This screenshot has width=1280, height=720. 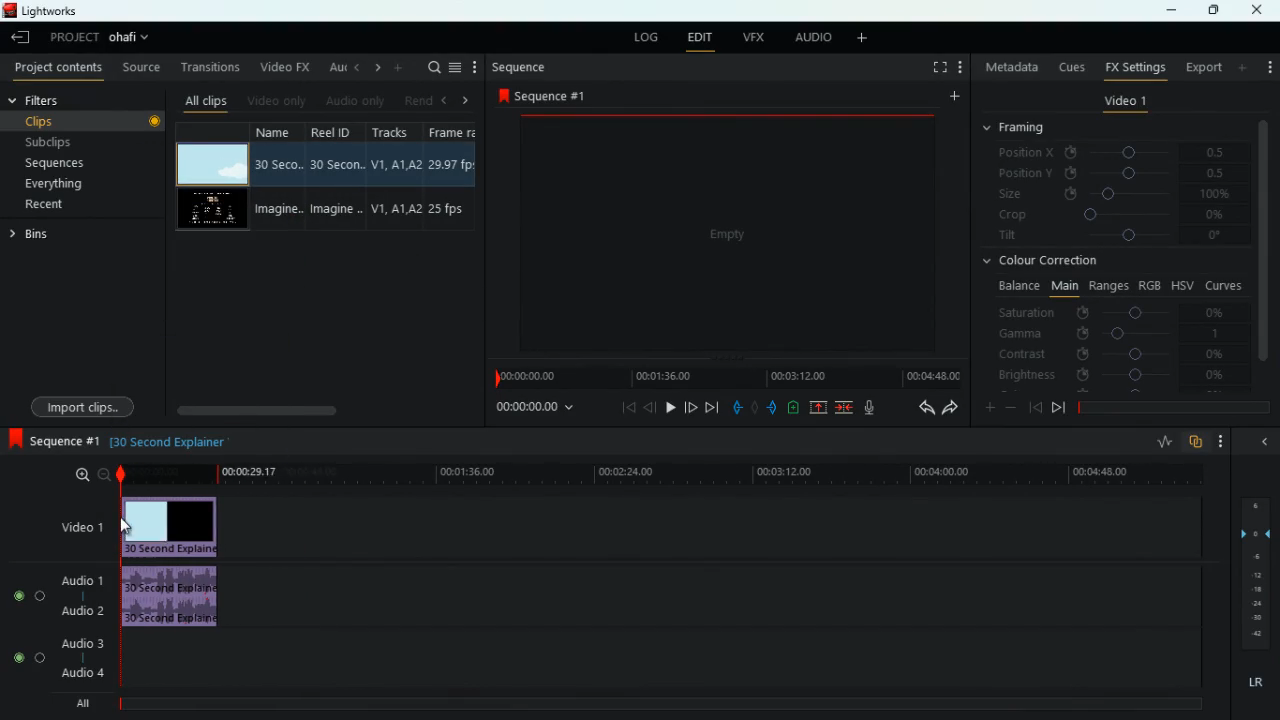 I want to click on rend, so click(x=414, y=100).